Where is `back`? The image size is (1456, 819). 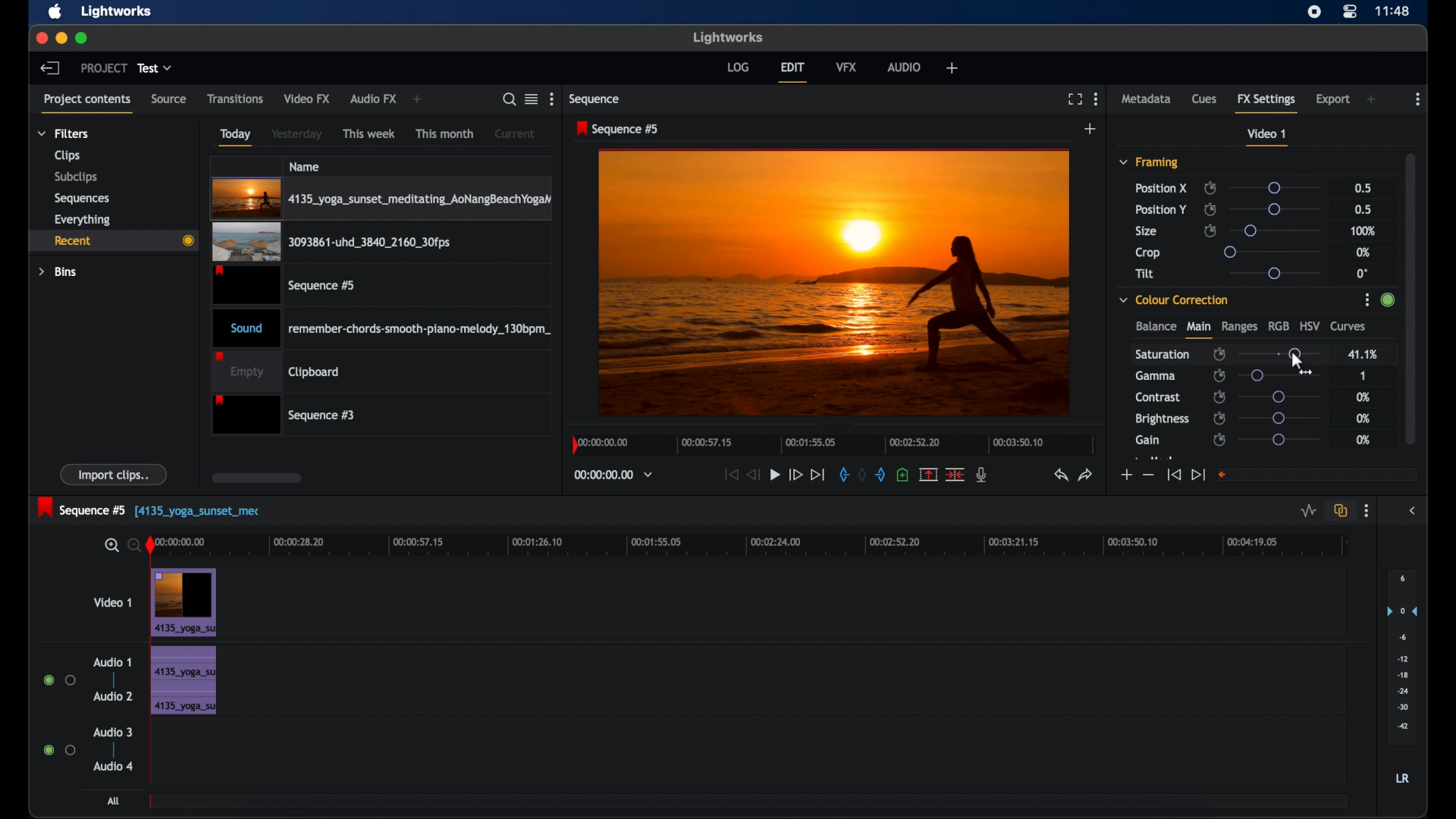 back is located at coordinates (50, 67).